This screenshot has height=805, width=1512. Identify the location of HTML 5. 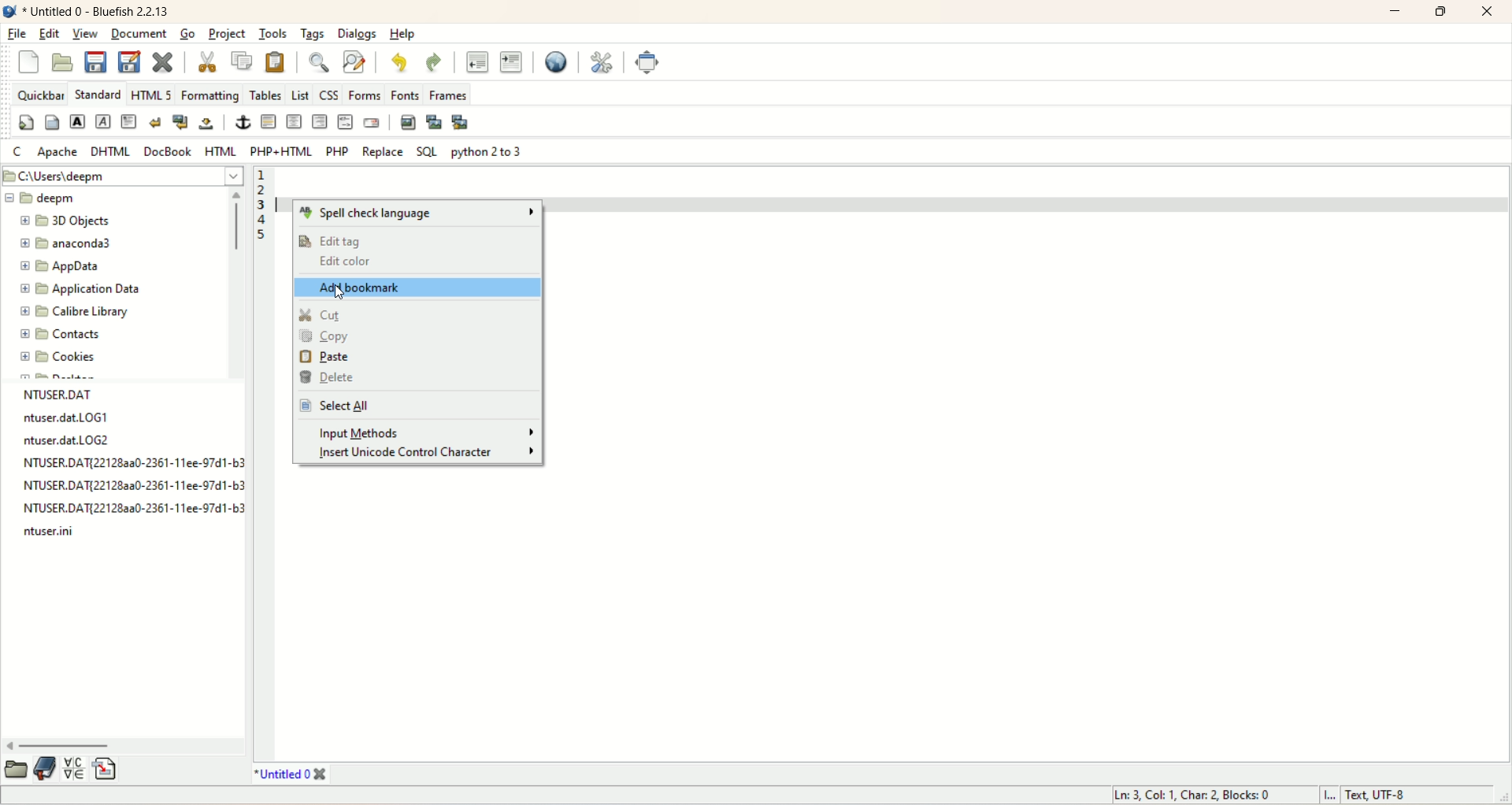
(152, 95).